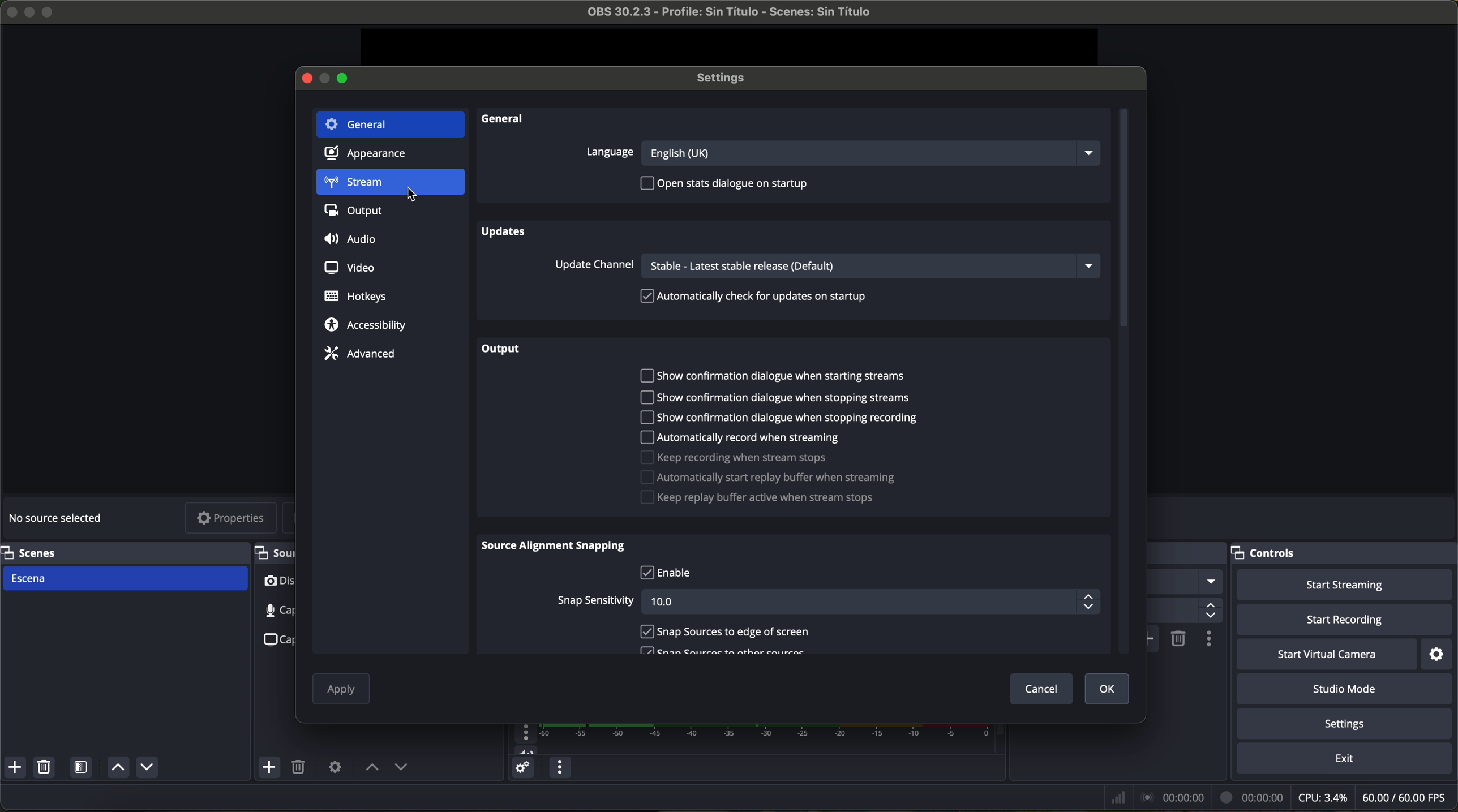 This screenshot has width=1458, height=812. Describe the element at coordinates (769, 476) in the screenshot. I see `automatically start replay buffer when streaming` at that location.